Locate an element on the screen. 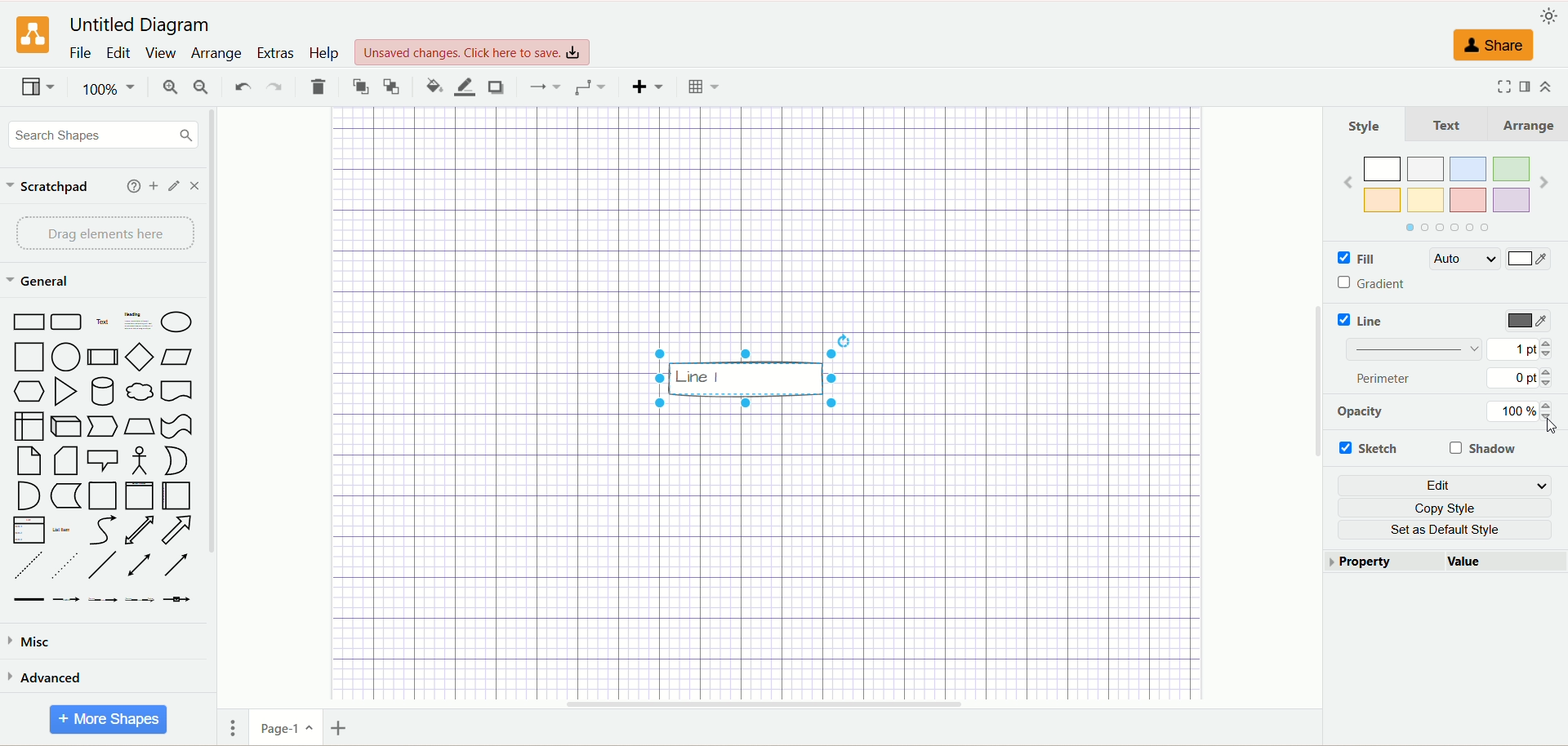 The height and width of the screenshot is (746, 1568). table is located at coordinates (700, 85).